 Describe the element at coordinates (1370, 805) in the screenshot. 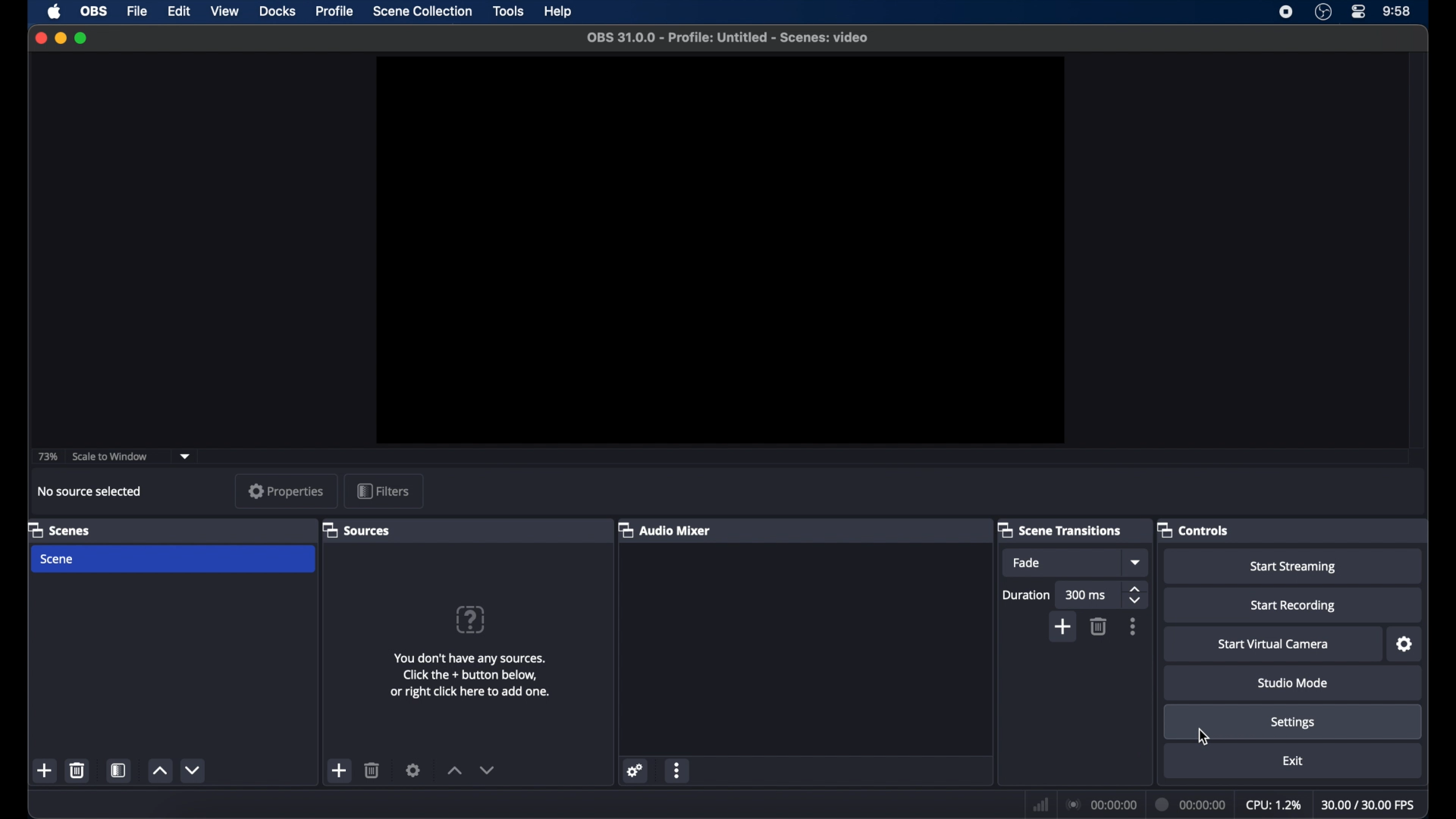

I see `fps` at that location.